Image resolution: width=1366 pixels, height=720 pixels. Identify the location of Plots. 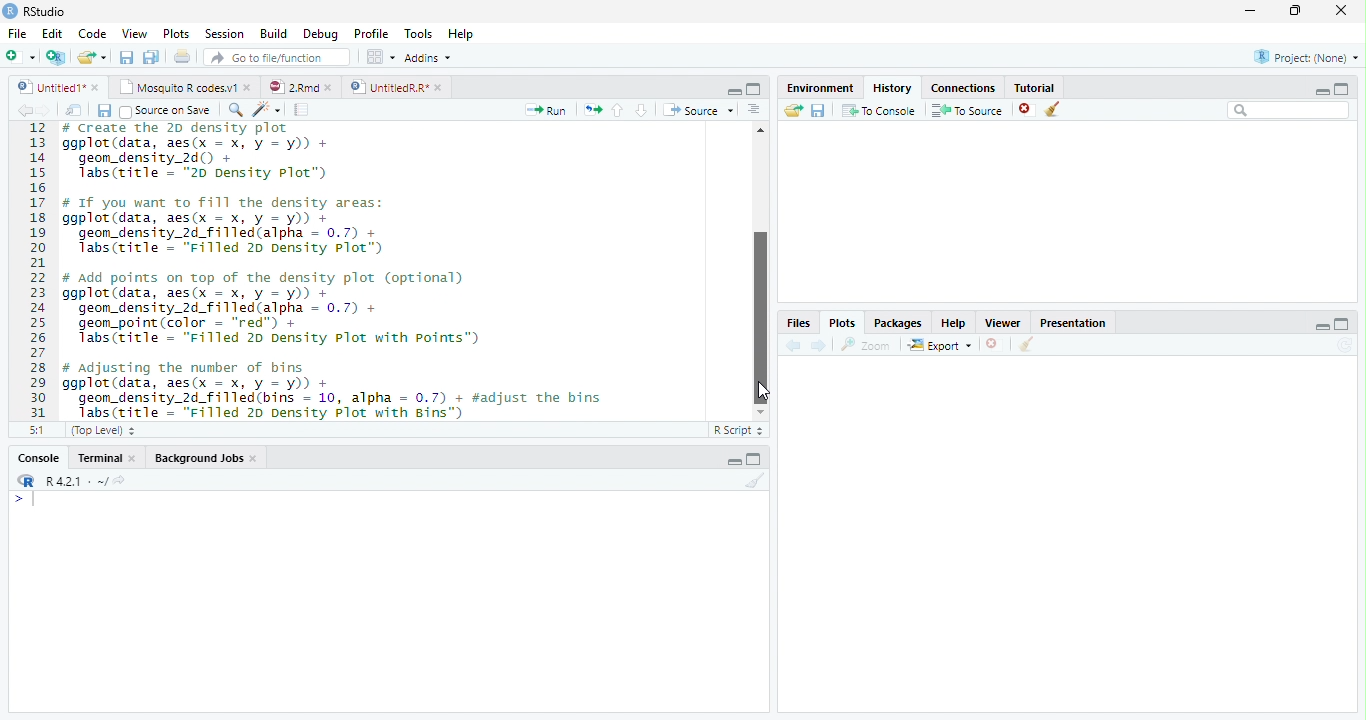
(841, 322).